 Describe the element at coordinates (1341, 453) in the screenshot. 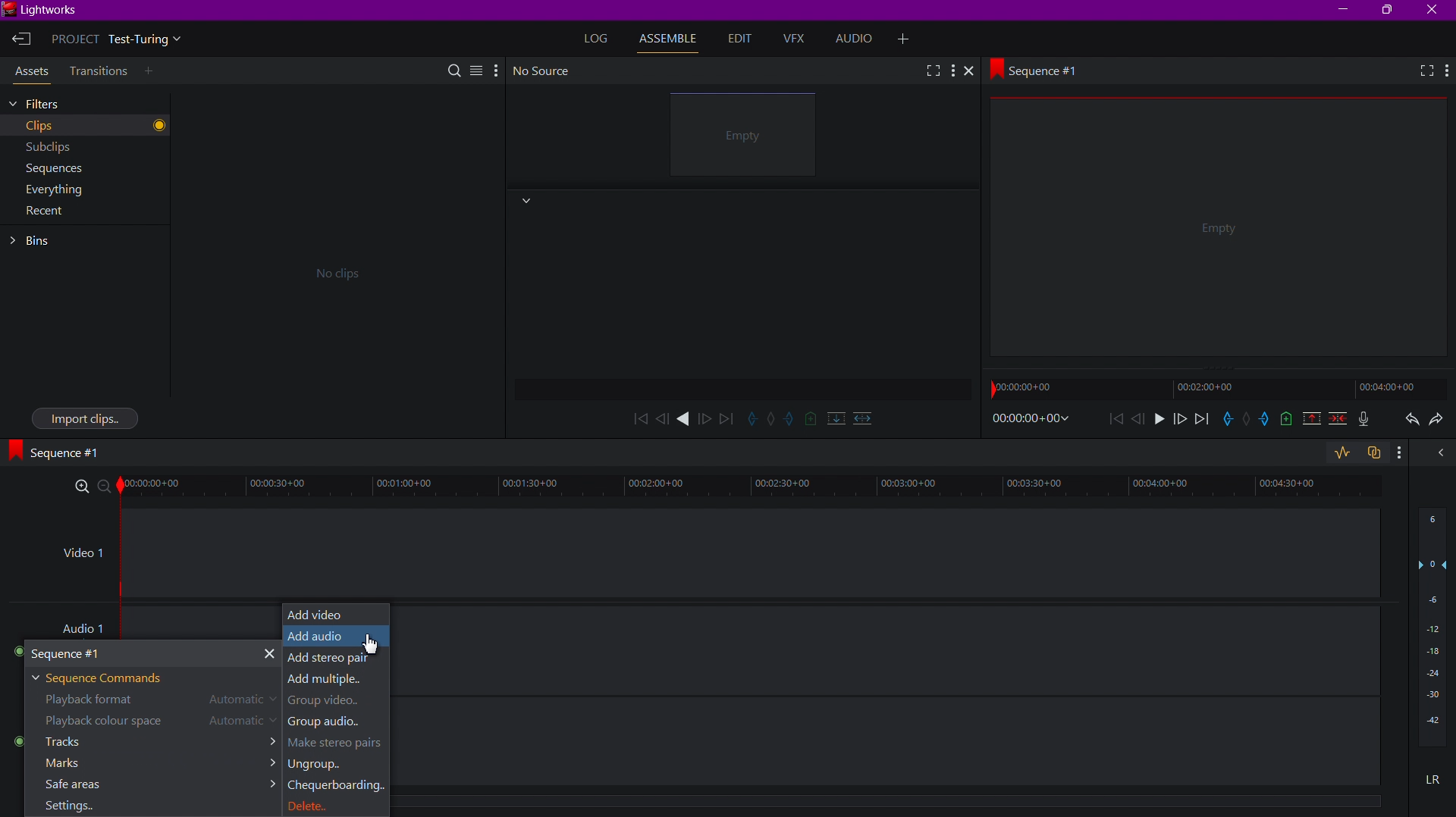

I see `Toggle Audio Equalizer` at that location.